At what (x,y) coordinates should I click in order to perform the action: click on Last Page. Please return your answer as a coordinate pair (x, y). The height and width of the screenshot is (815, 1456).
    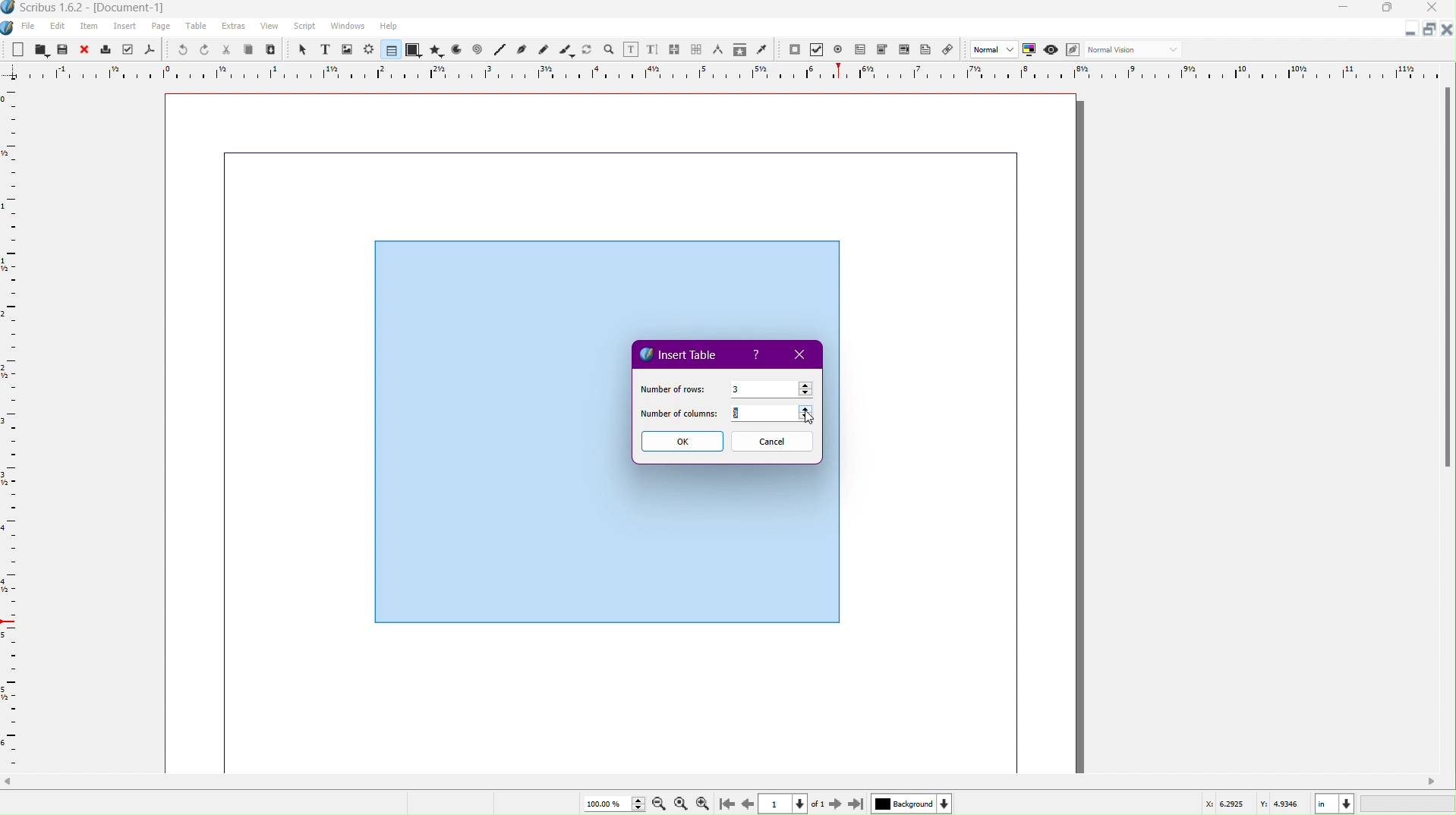
    Looking at the image, I should click on (857, 803).